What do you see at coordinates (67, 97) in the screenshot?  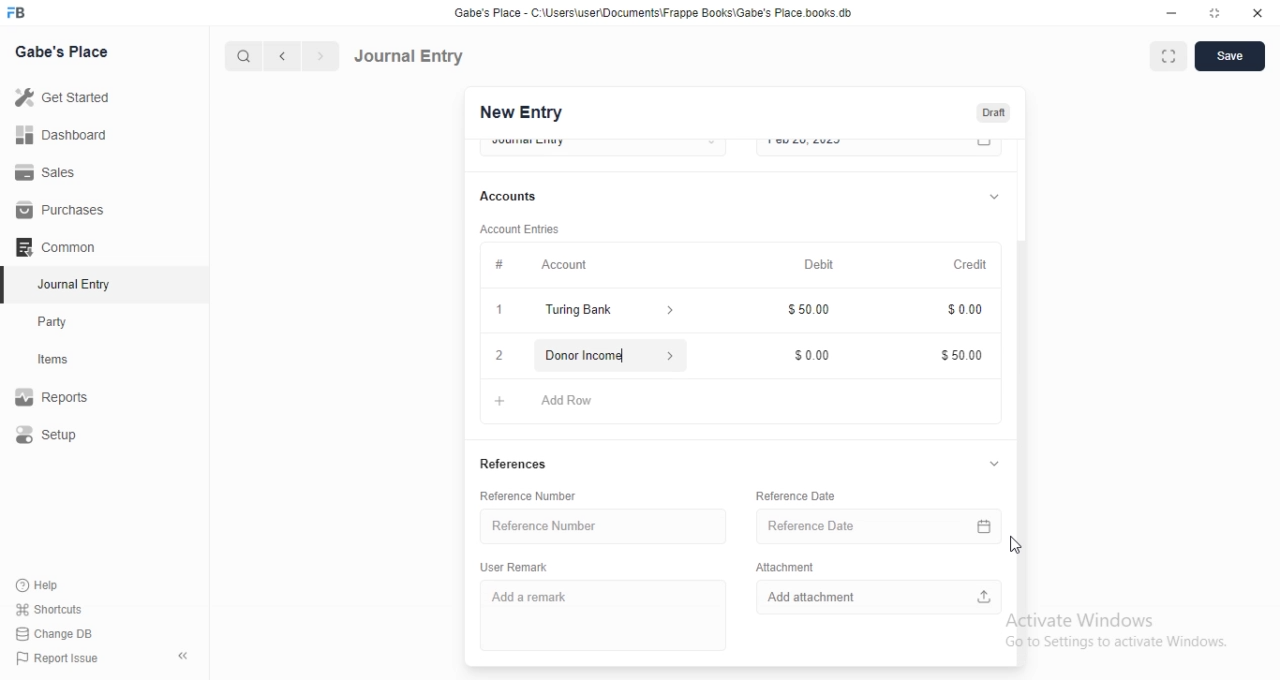 I see `Get Started` at bounding box center [67, 97].